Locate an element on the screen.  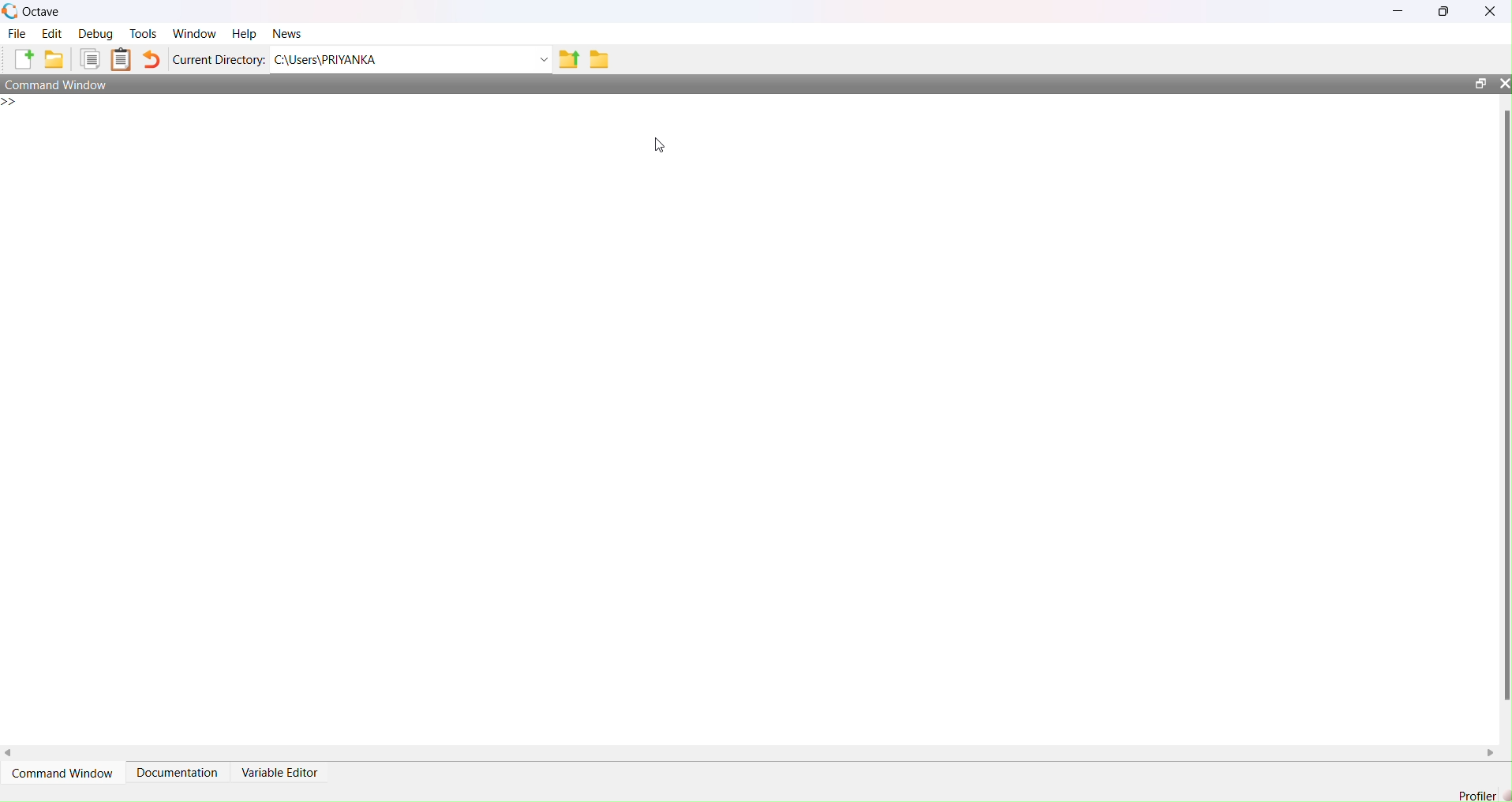
Variable Editor is located at coordinates (287, 767).